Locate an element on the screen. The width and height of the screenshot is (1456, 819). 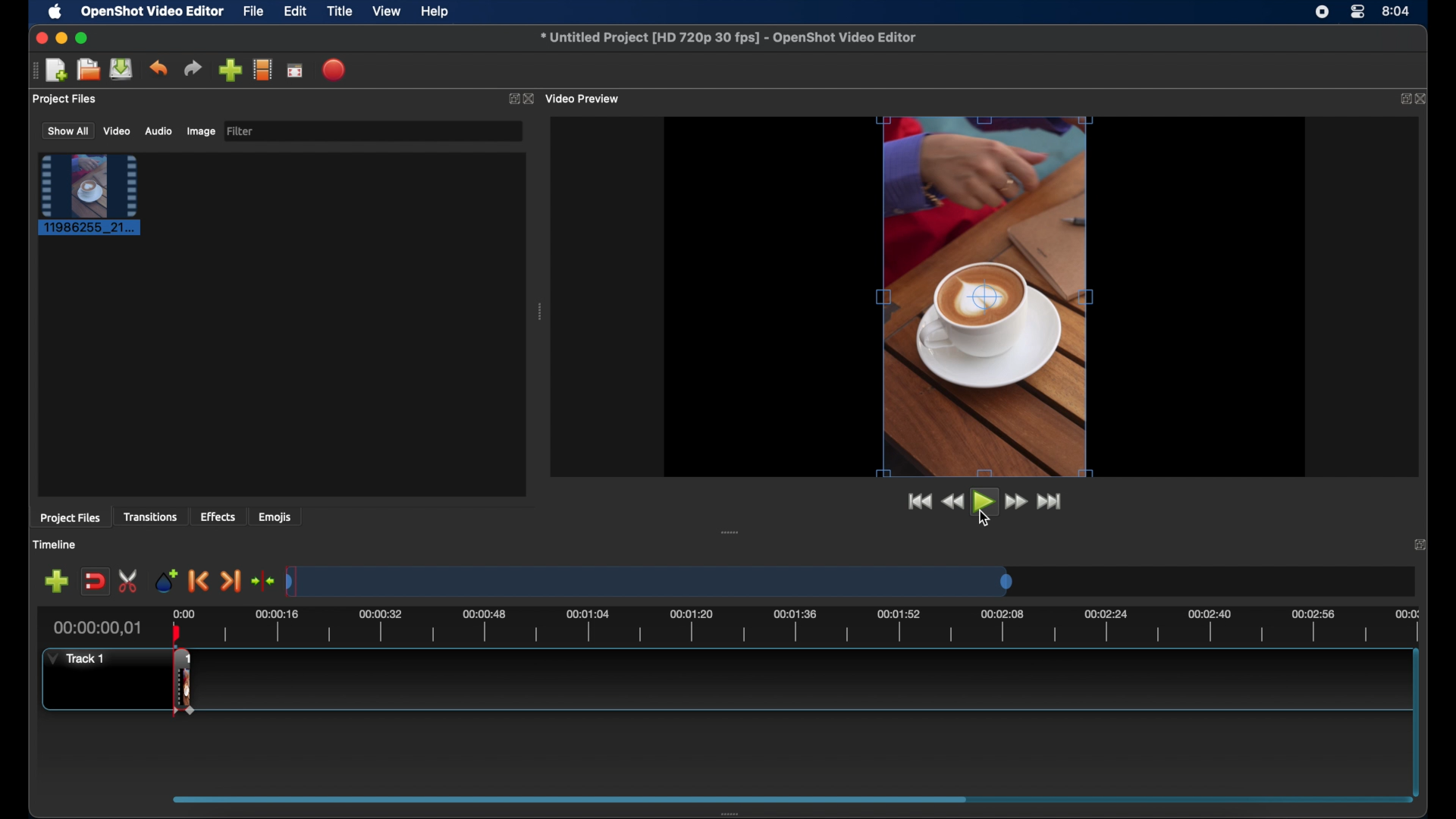
time is located at coordinates (1397, 10).